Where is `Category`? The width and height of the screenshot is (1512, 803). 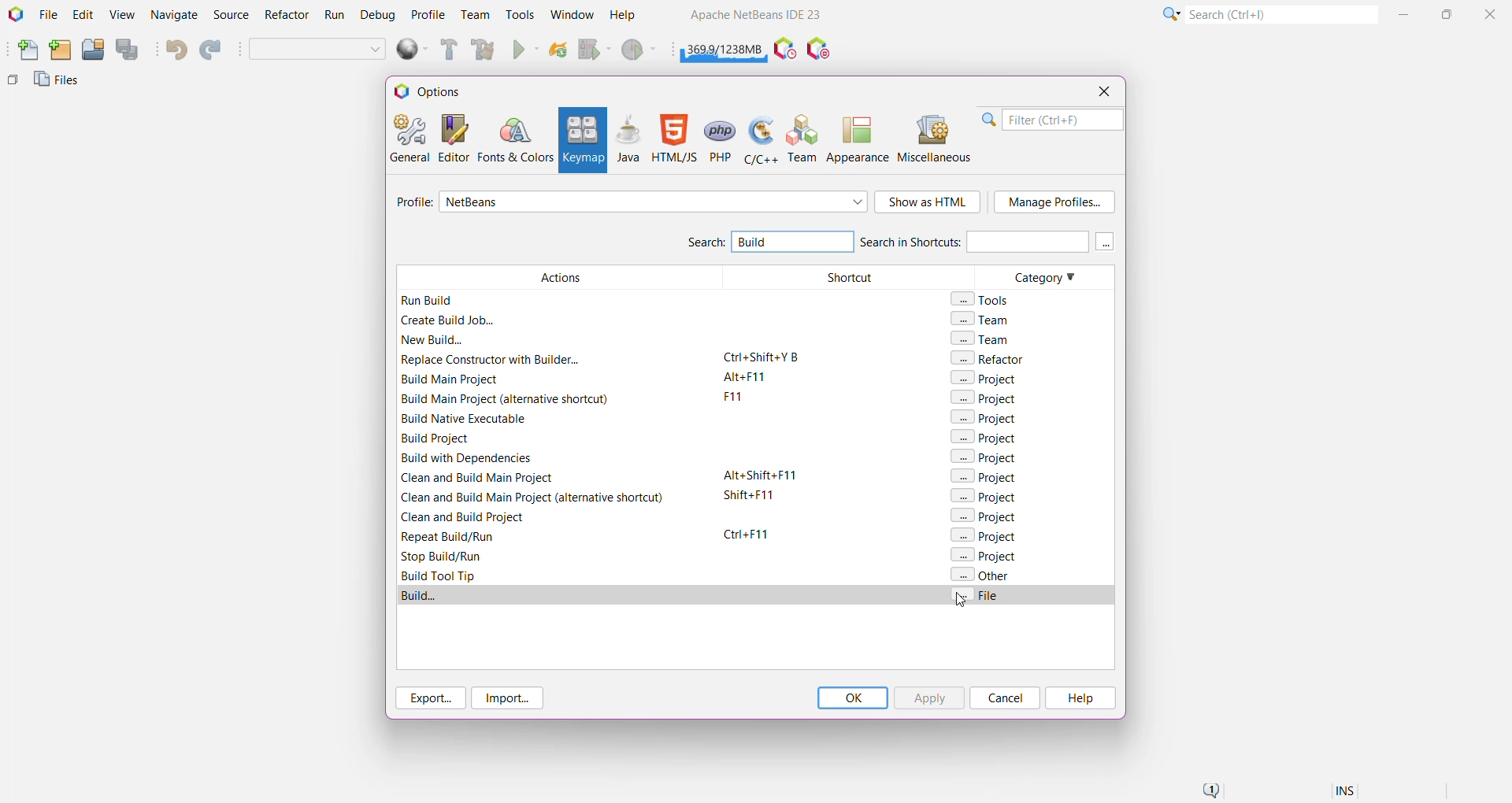
Category is located at coordinates (1030, 424).